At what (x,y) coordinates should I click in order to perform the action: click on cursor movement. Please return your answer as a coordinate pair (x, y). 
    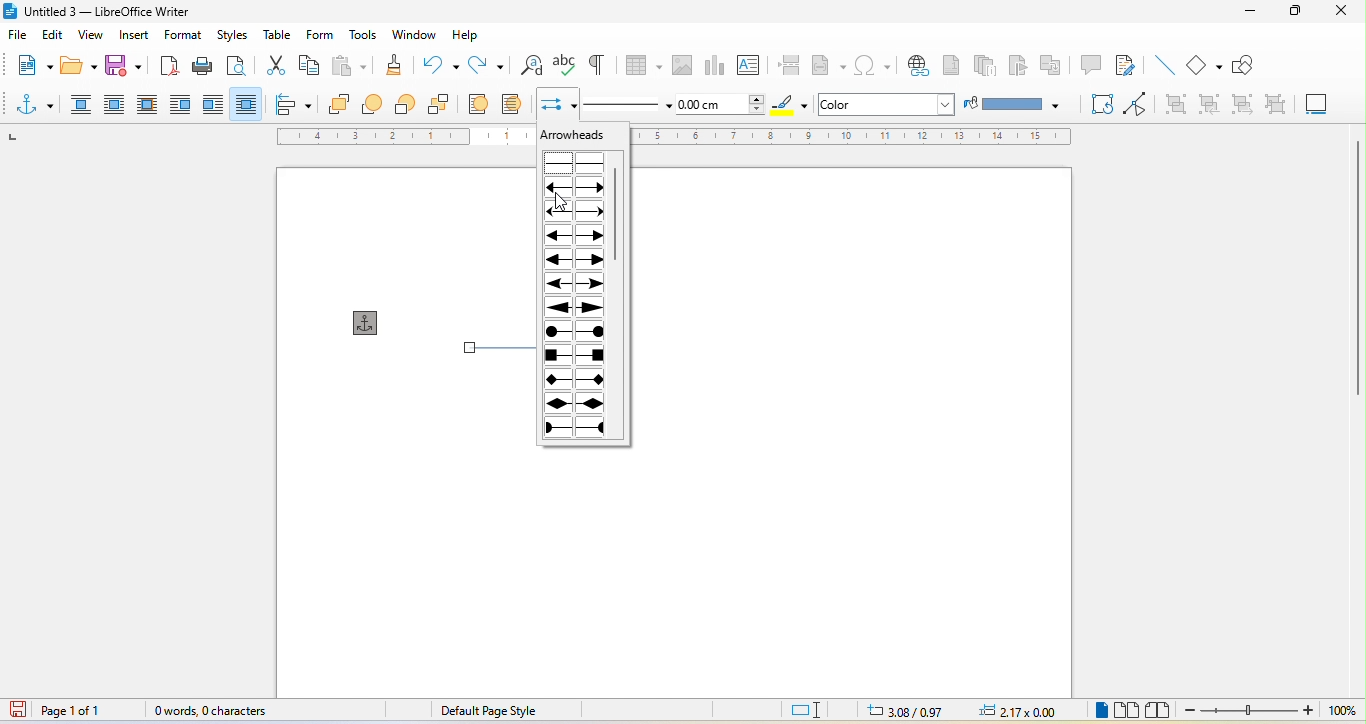
    Looking at the image, I should click on (564, 203).